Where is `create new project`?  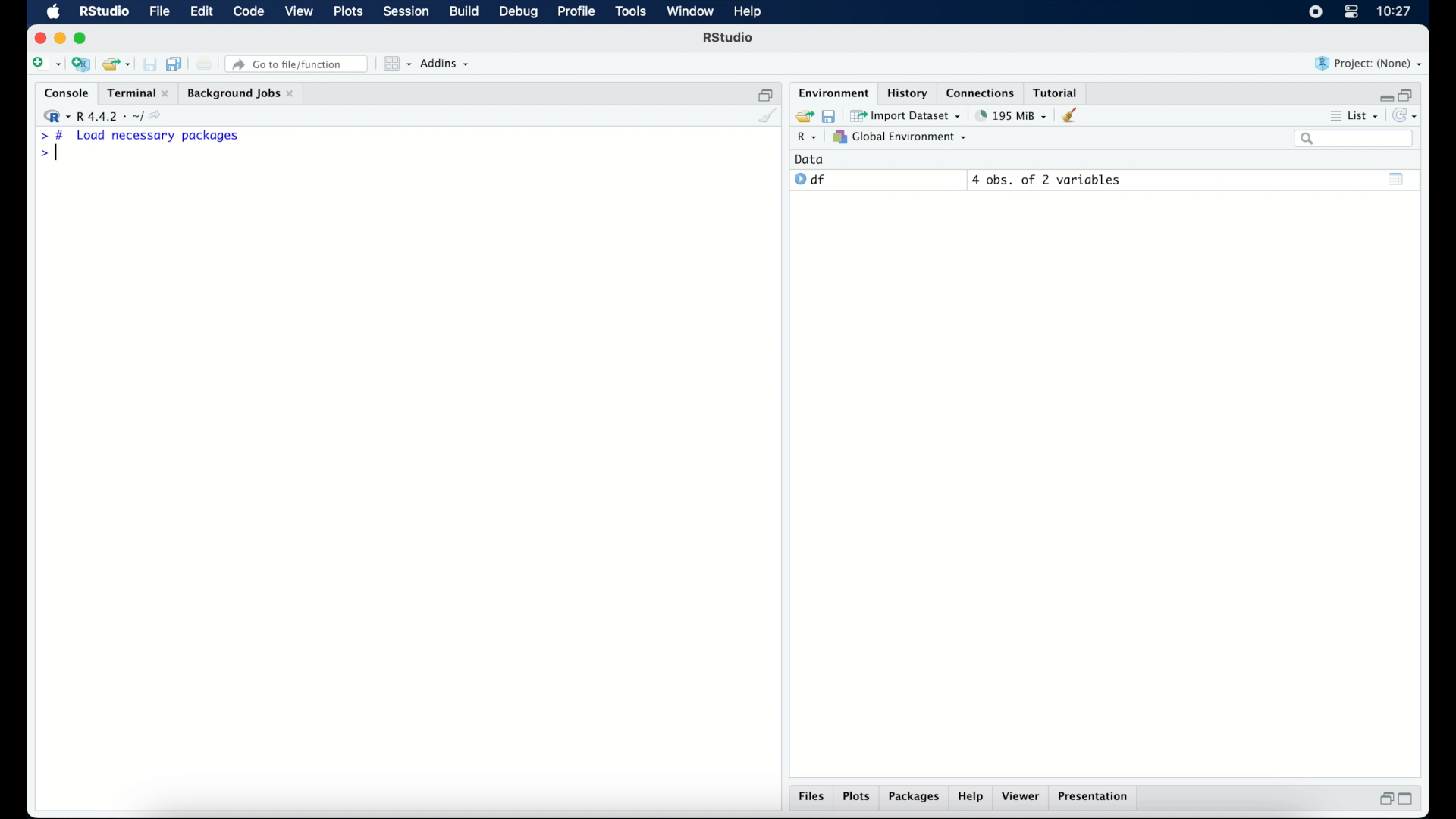
create new project is located at coordinates (81, 65).